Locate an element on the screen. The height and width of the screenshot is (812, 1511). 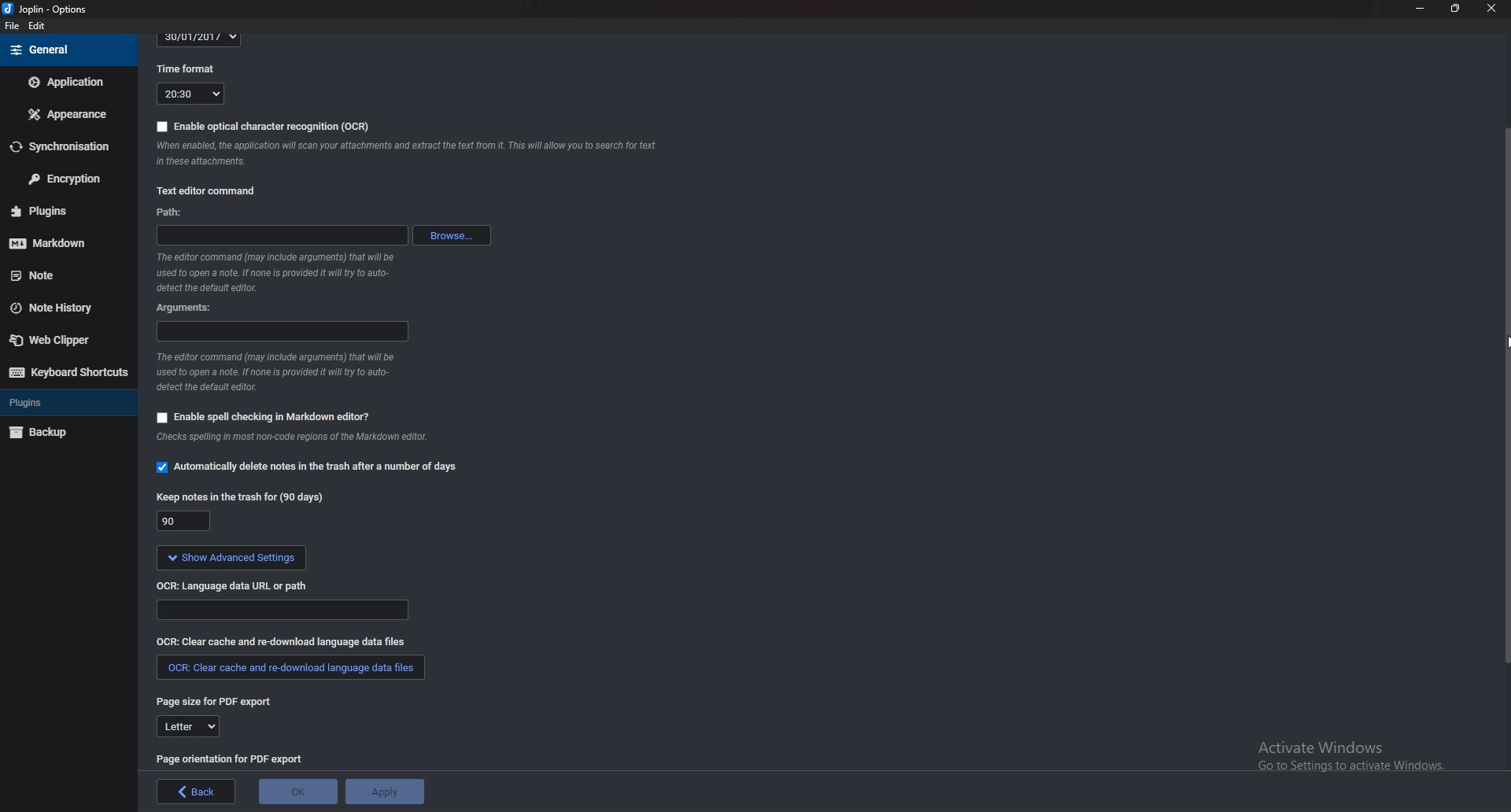
scroll bar is located at coordinates (1505, 394).